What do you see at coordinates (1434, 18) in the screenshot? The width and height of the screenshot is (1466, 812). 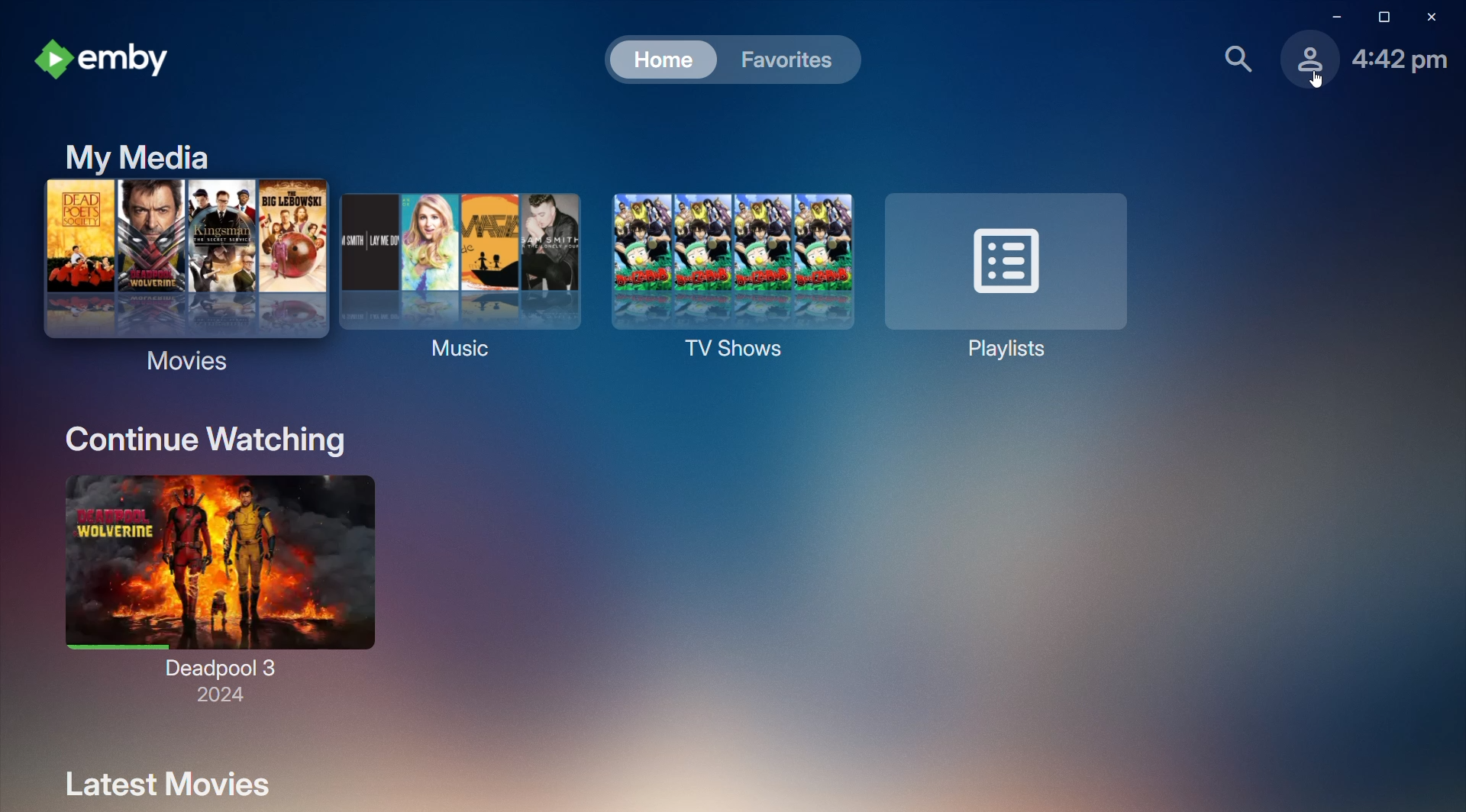 I see `Close` at bounding box center [1434, 18].